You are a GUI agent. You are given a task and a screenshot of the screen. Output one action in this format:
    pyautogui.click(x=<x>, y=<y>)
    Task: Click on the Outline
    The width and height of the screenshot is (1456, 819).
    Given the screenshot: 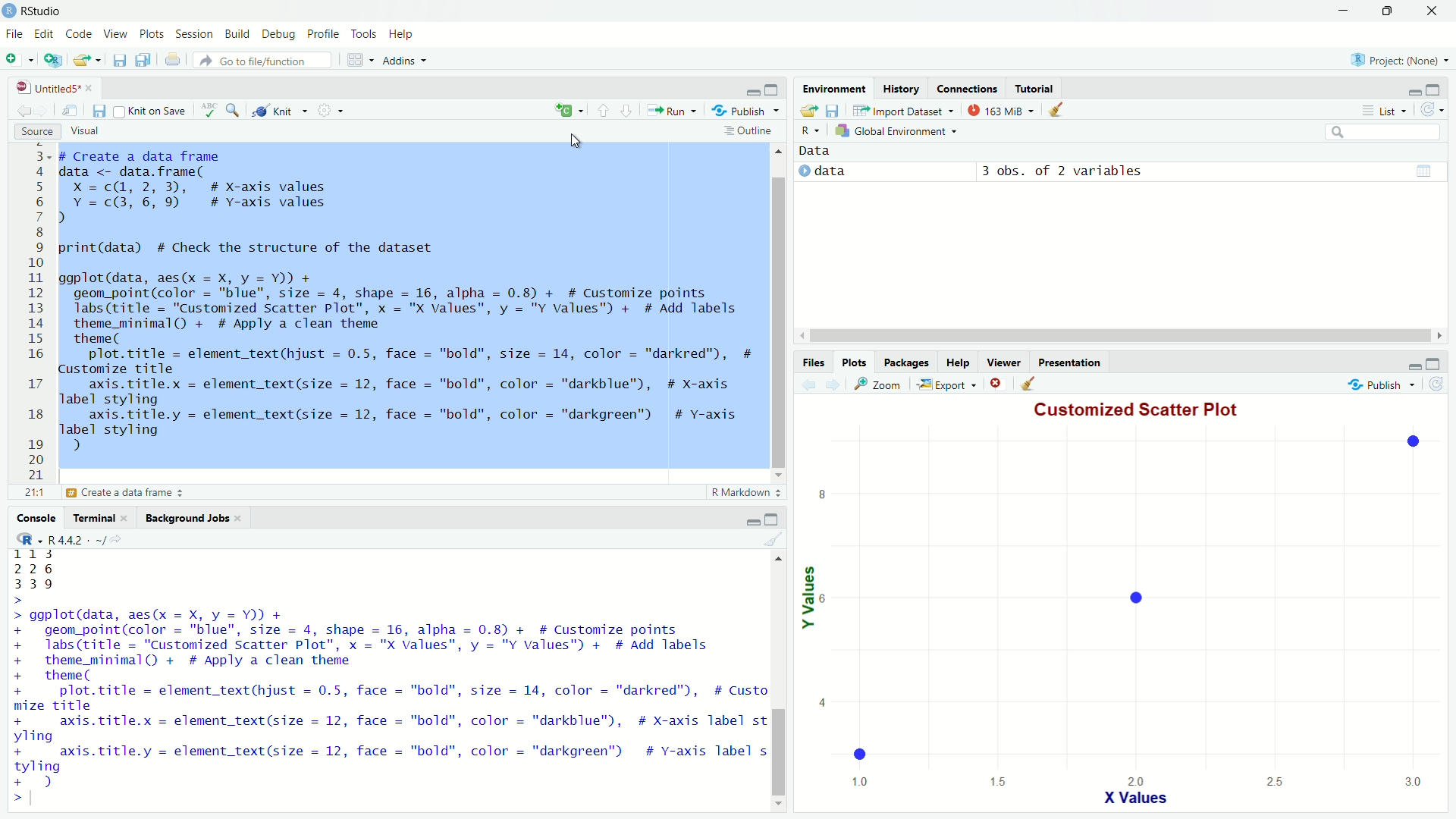 What is the action you would take?
    pyautogui.click(x=748, y=133)
    